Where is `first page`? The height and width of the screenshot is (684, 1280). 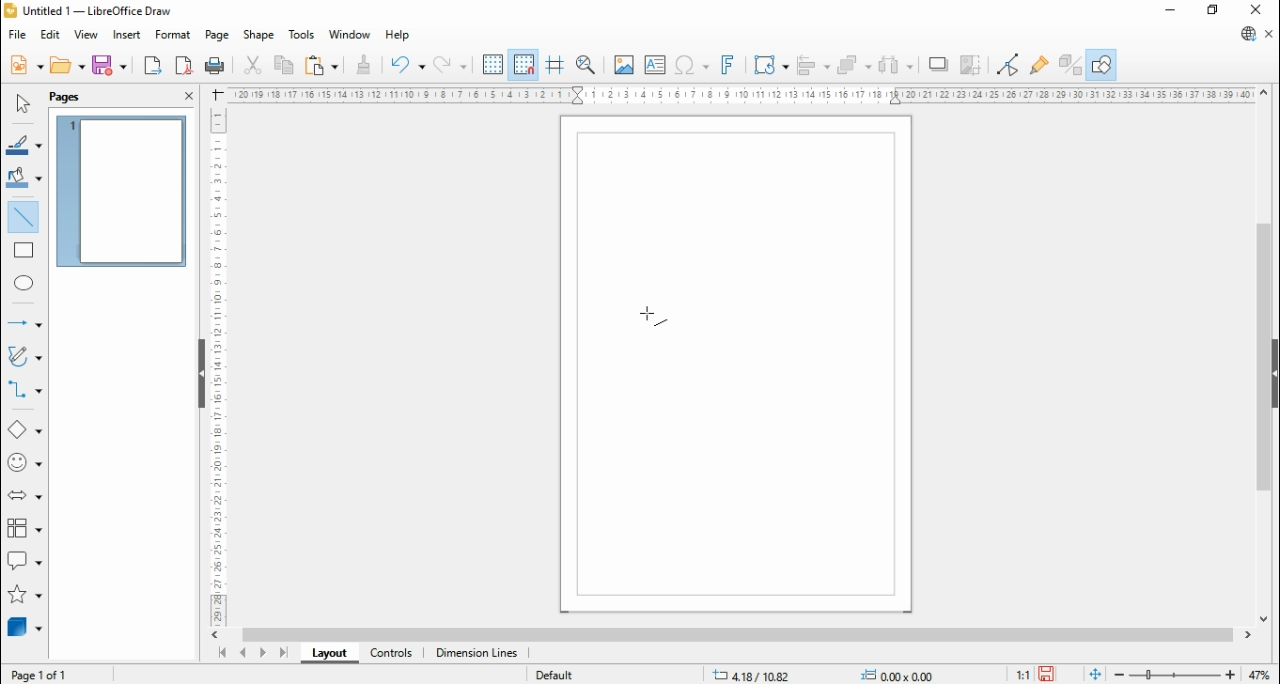
first page is located at coordinates (220, 653).